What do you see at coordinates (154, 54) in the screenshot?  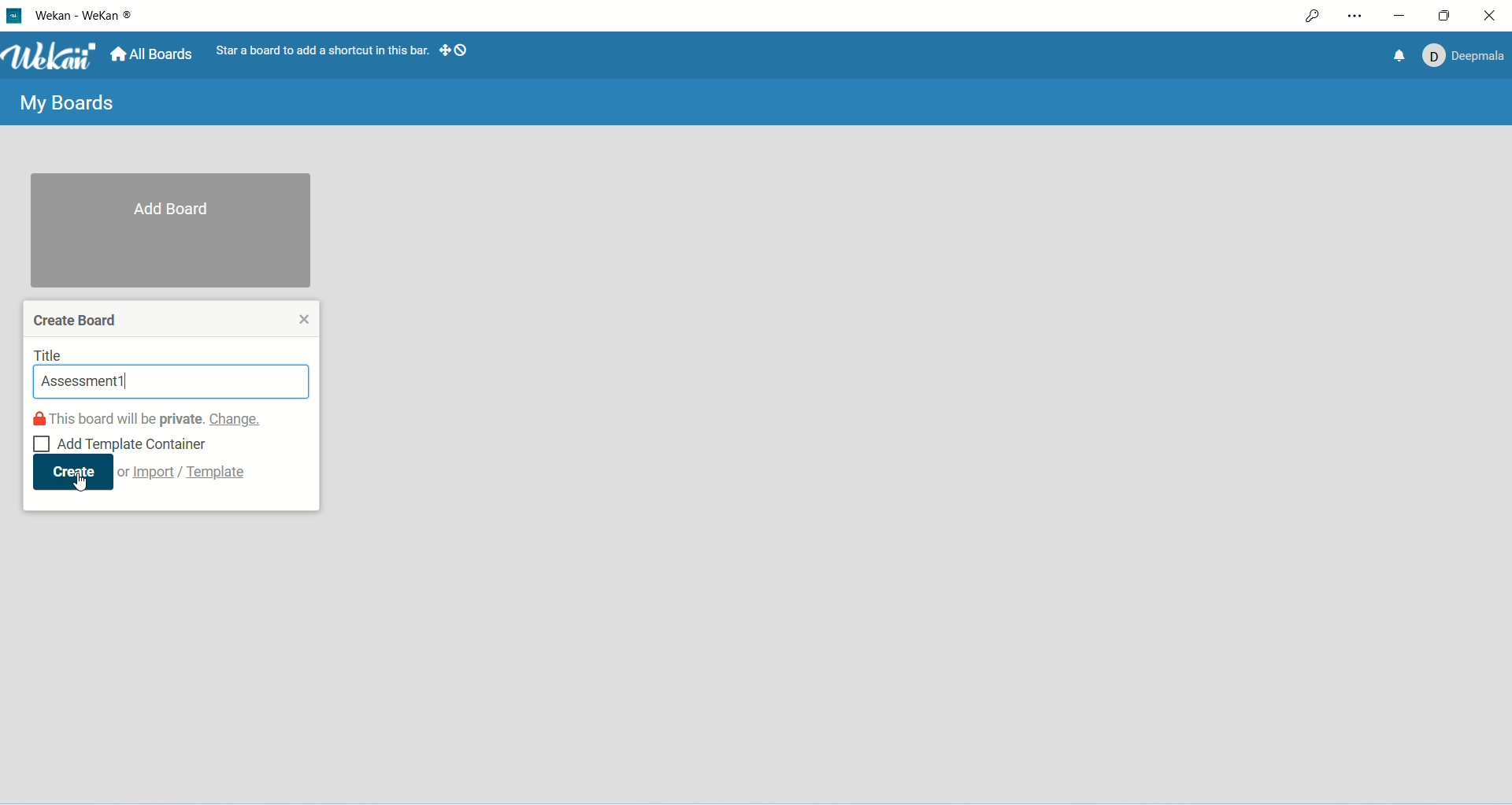 I see `all boards` at bounding box center [154, 54].